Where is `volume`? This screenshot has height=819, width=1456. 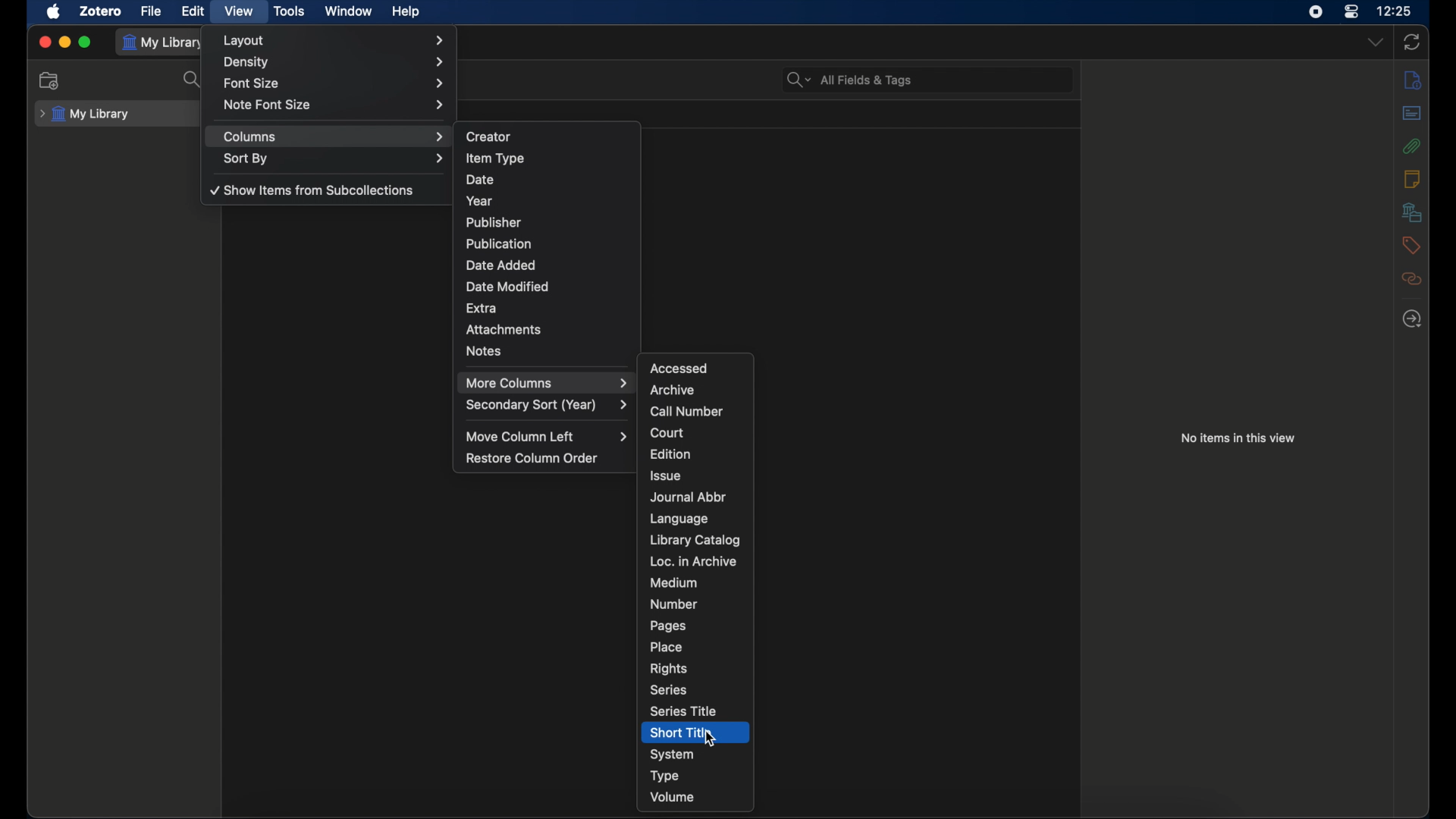
volume is located at coordinates (673, 796).